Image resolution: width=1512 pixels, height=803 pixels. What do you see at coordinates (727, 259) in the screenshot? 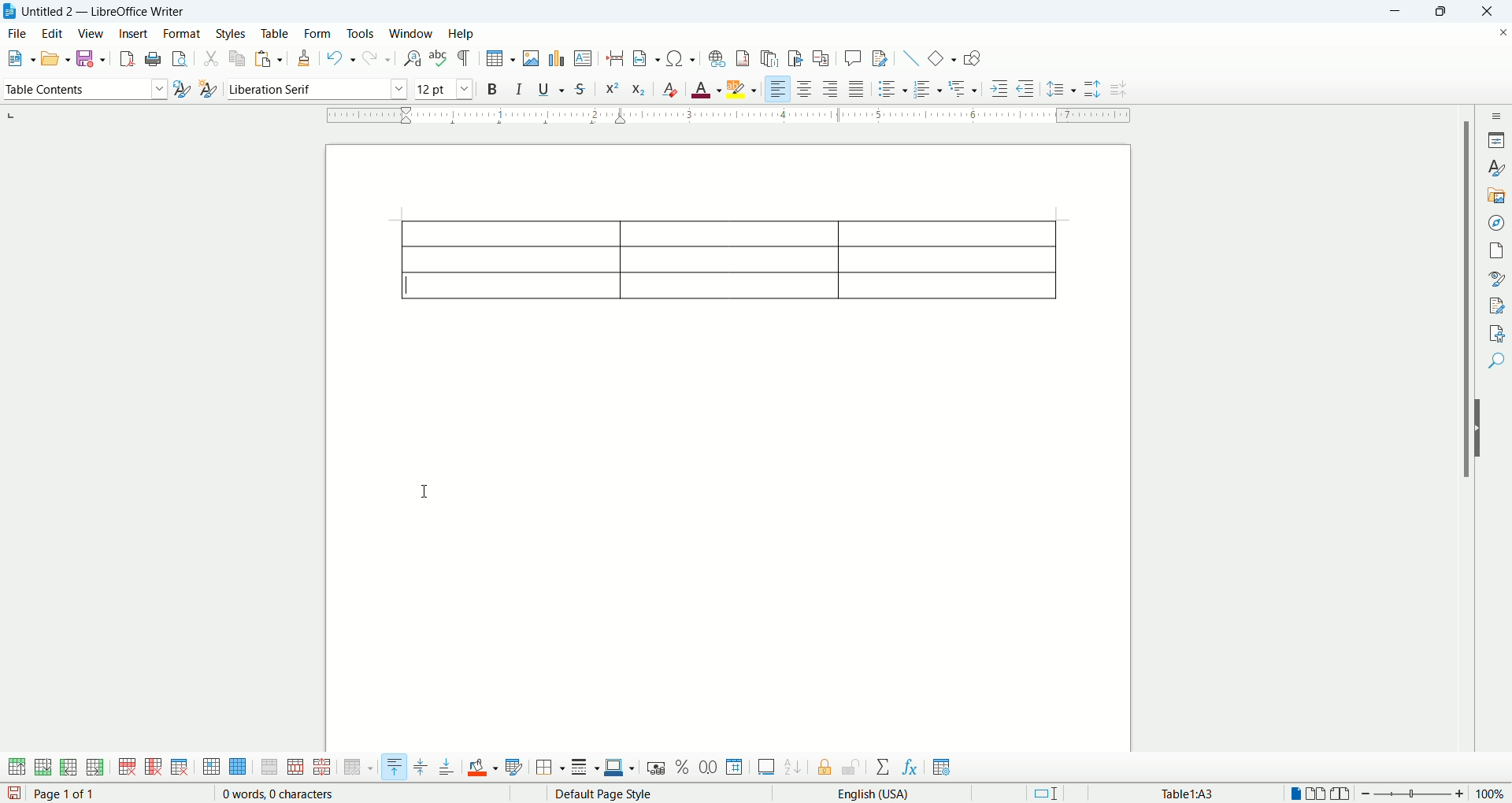
I see `table after row delete` at bounding box center [727, 259].